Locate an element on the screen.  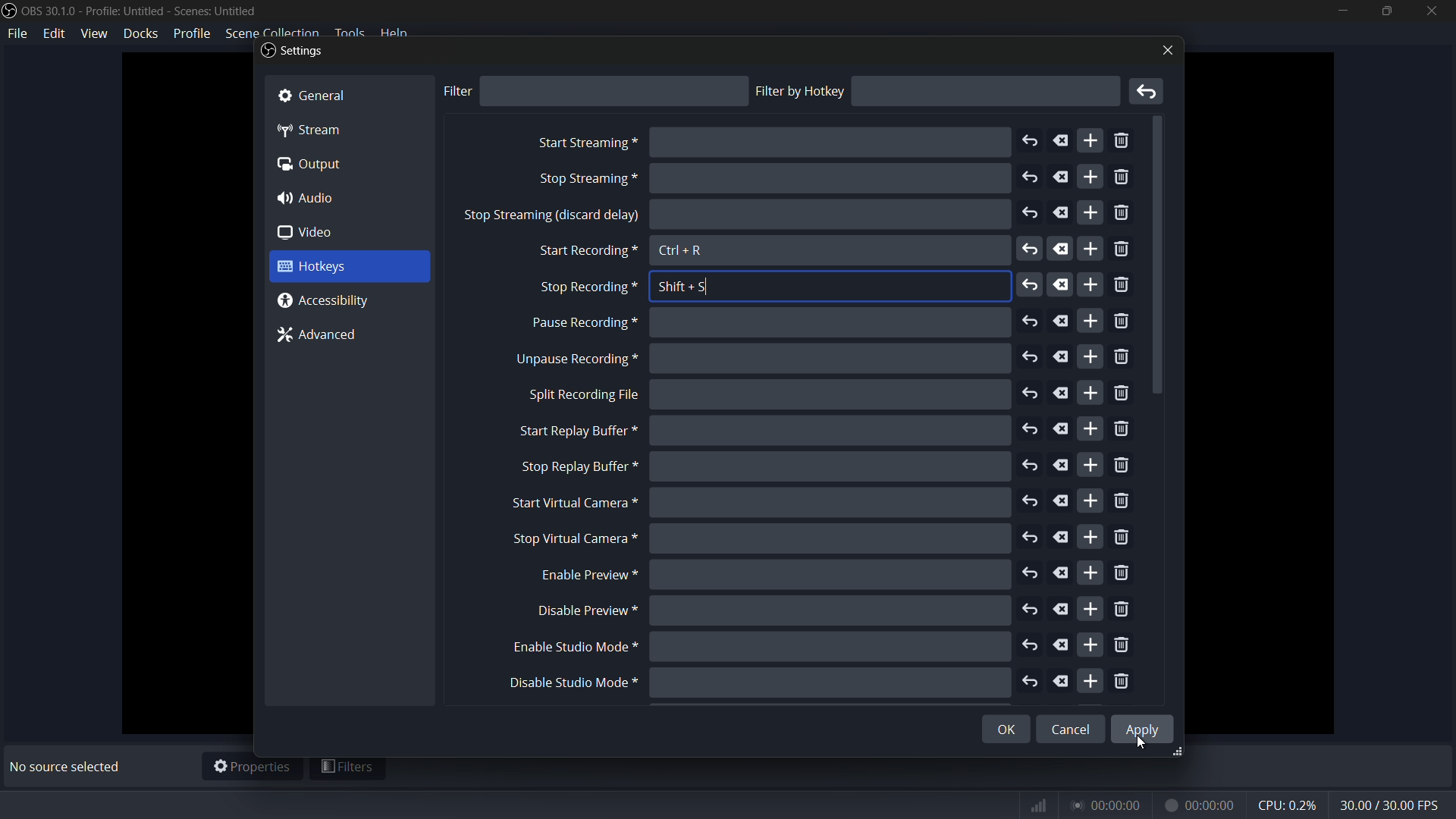
add more is located at coordinates (1091, 610).